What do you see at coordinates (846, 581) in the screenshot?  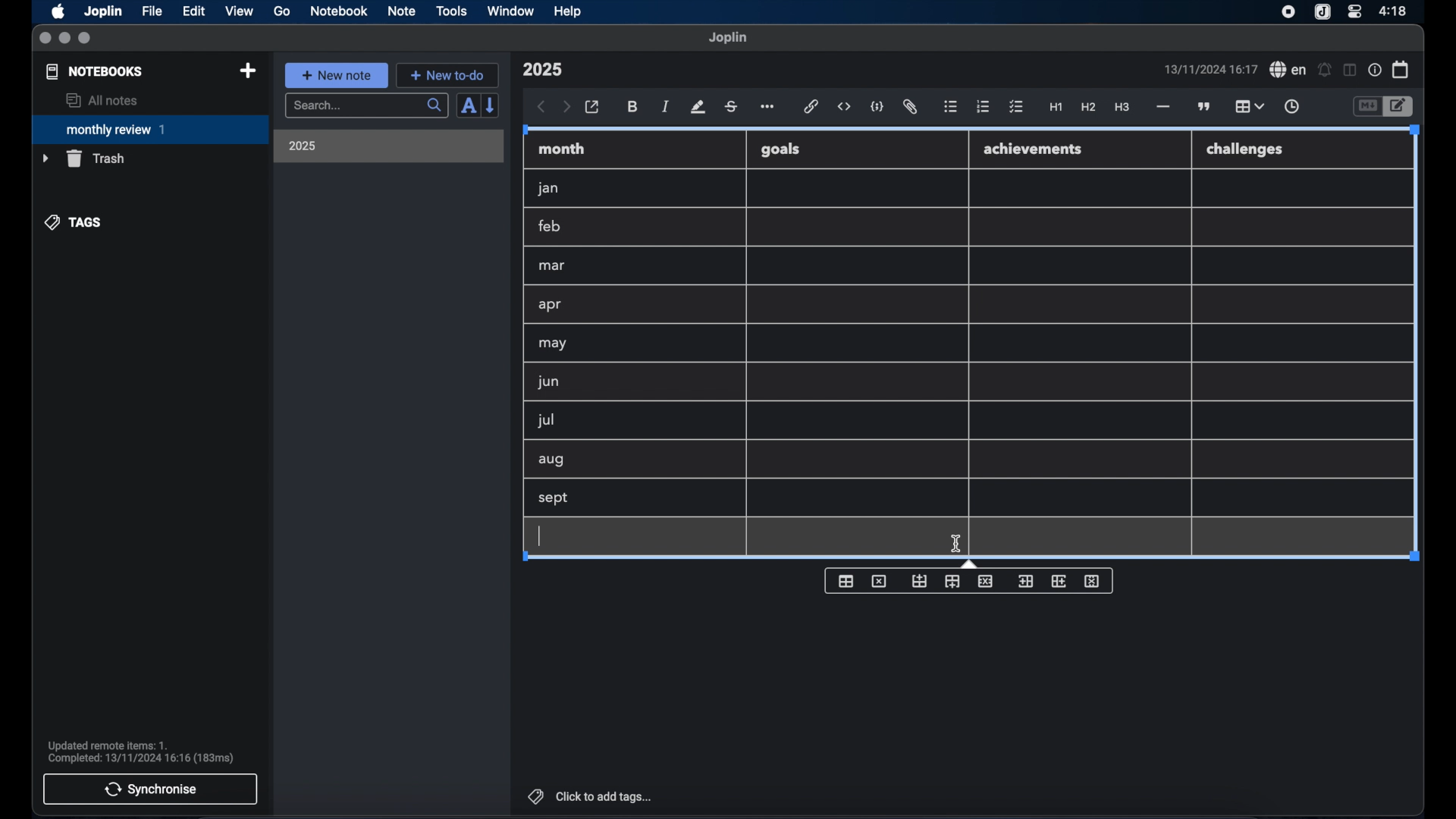 I see `insert table` at bounding box center [846, 581].